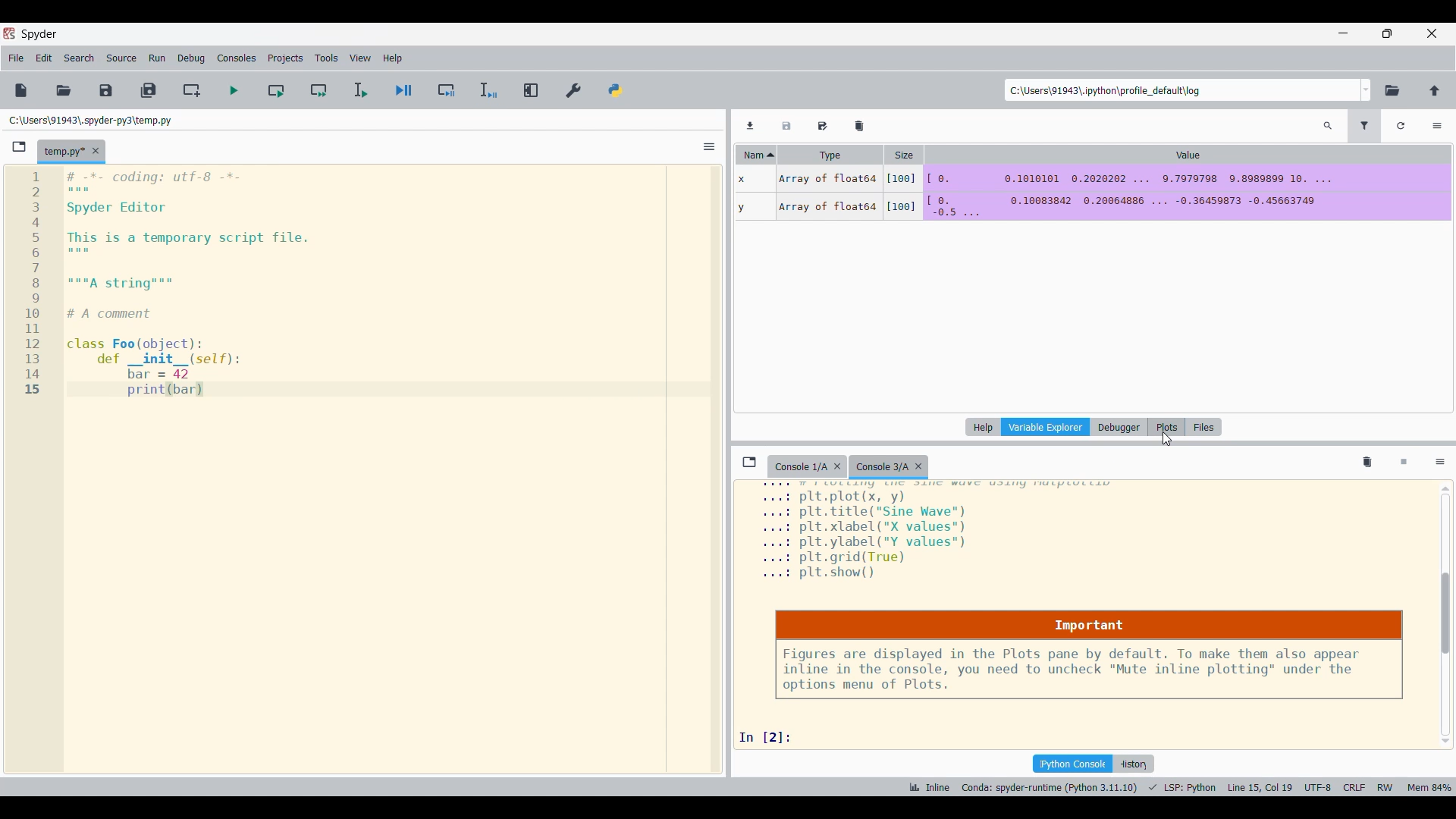  What do you see at coordinates (89, 120) in the screenshot?
I see `File location` at bounding box center [89, 120].